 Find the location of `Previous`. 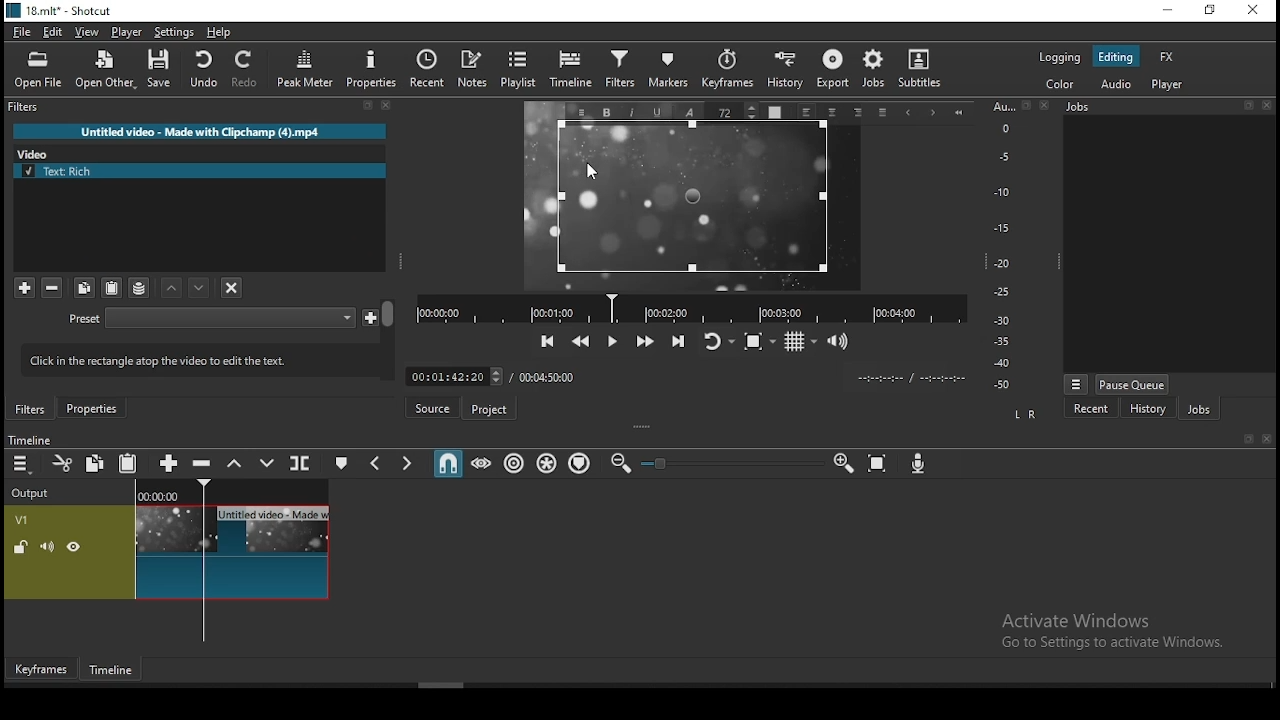

Previous is located at coordinates (907, 114).